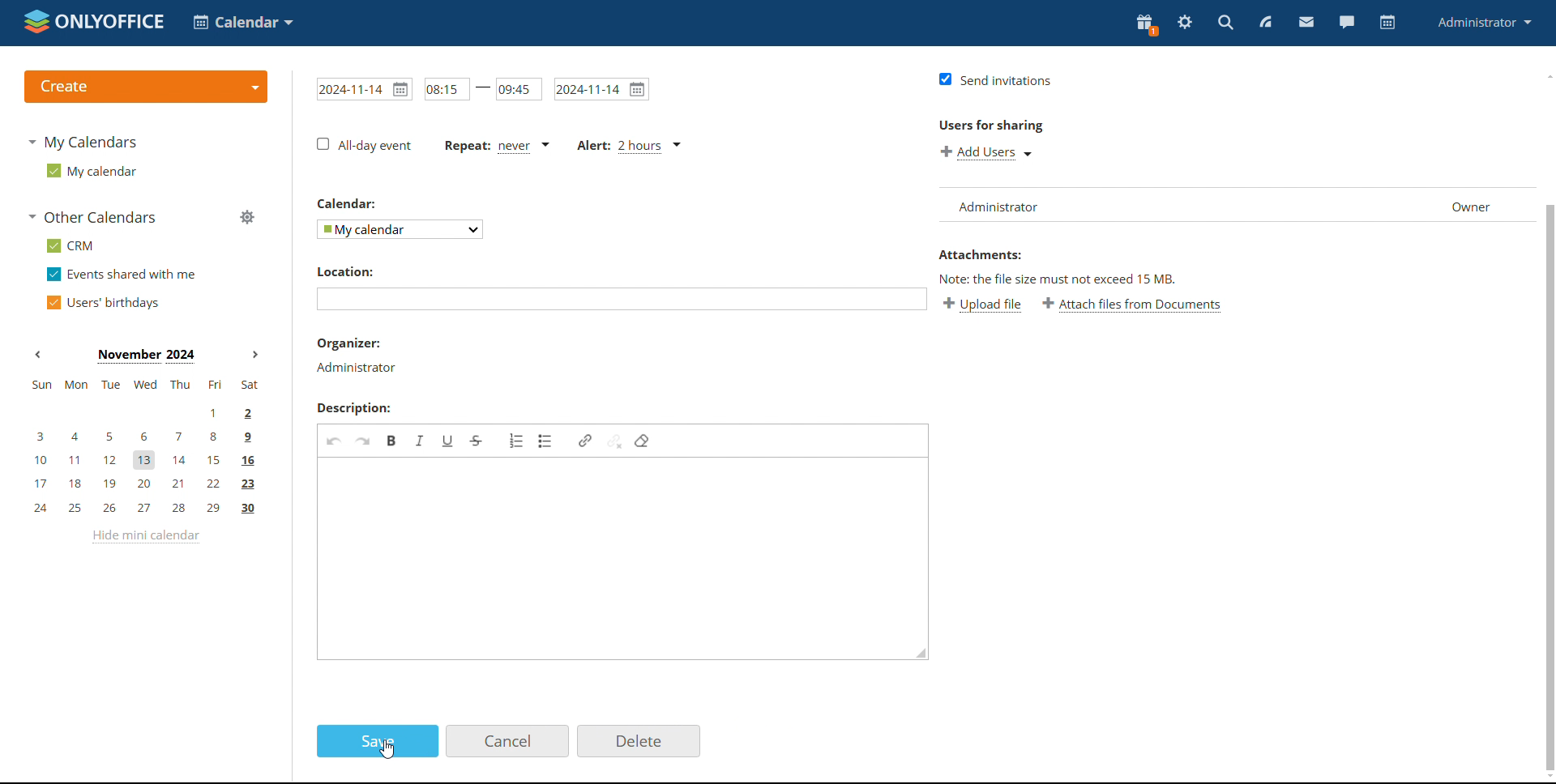  What do you see at coordinates (479, 443) in the screenshot?
I see `strikethrough` at bounding box center [479, 443].